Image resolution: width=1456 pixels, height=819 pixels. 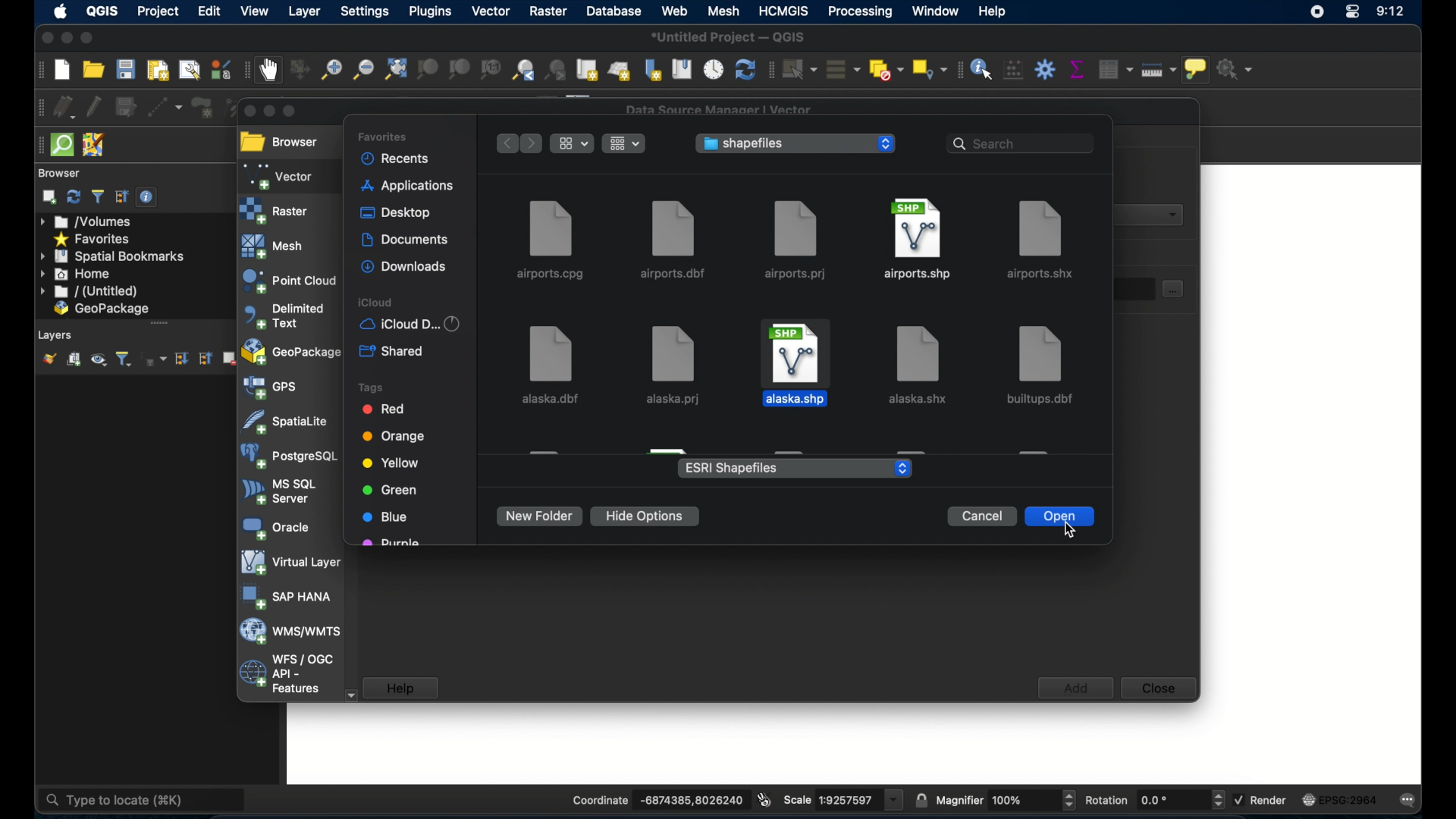 What do you see at coordinates (97, 196) in the screenshot?
I see `filter browser` at bounding box center [97, 196].